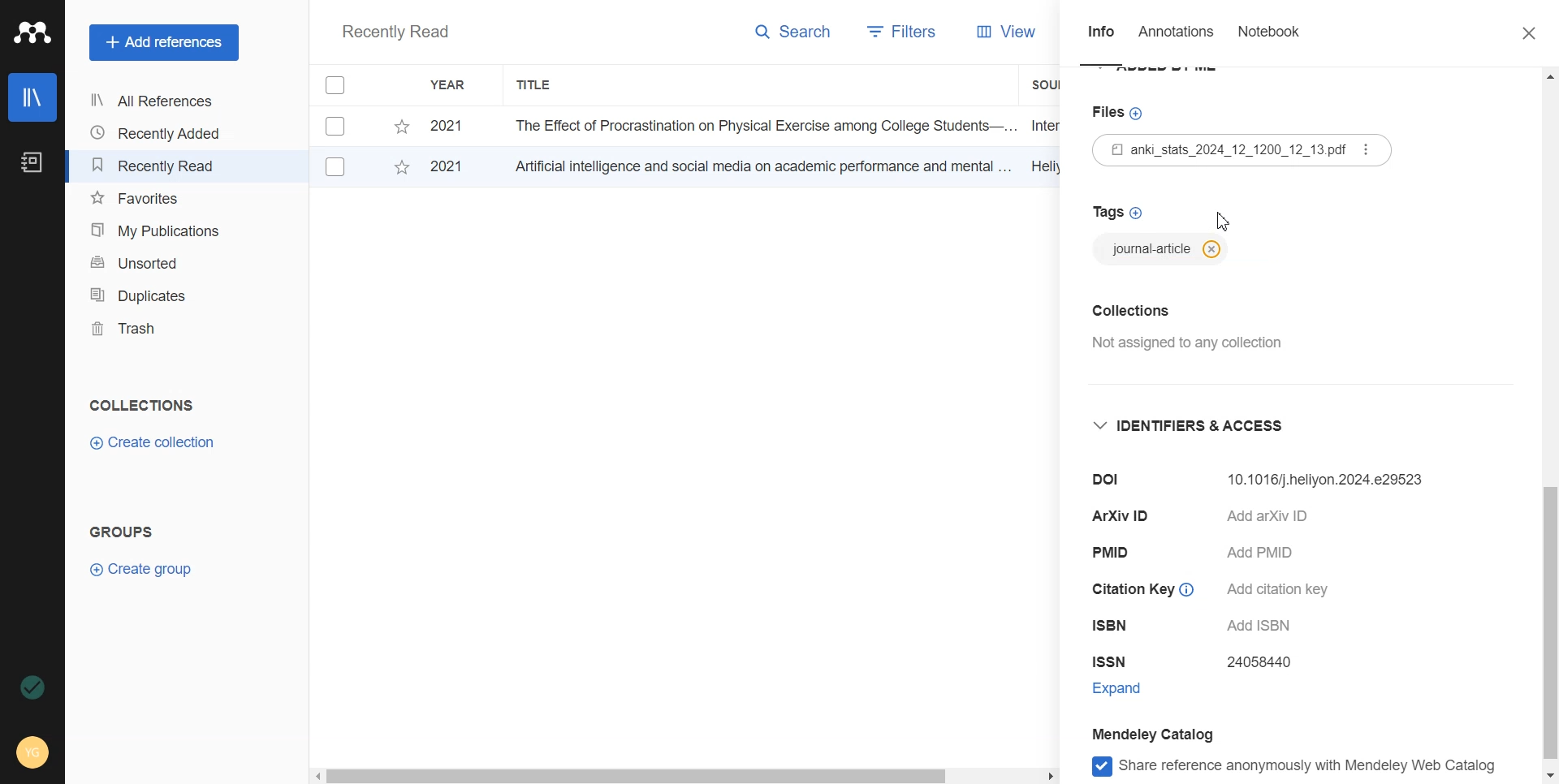  Describe the element at coordinates (34, 751) in the screenshot. I see `Account` at that location.